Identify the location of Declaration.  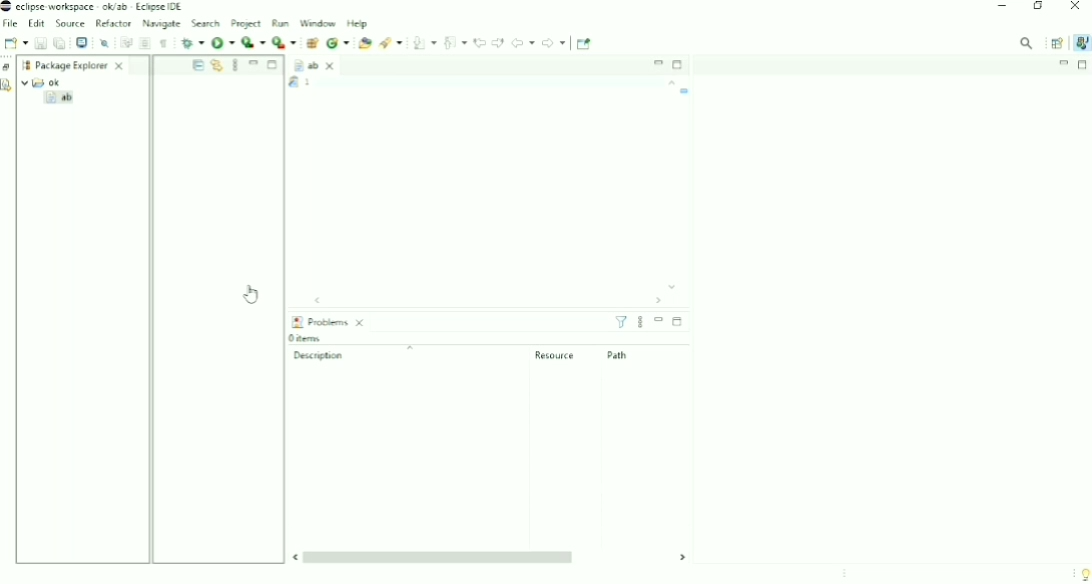
(9, 87).